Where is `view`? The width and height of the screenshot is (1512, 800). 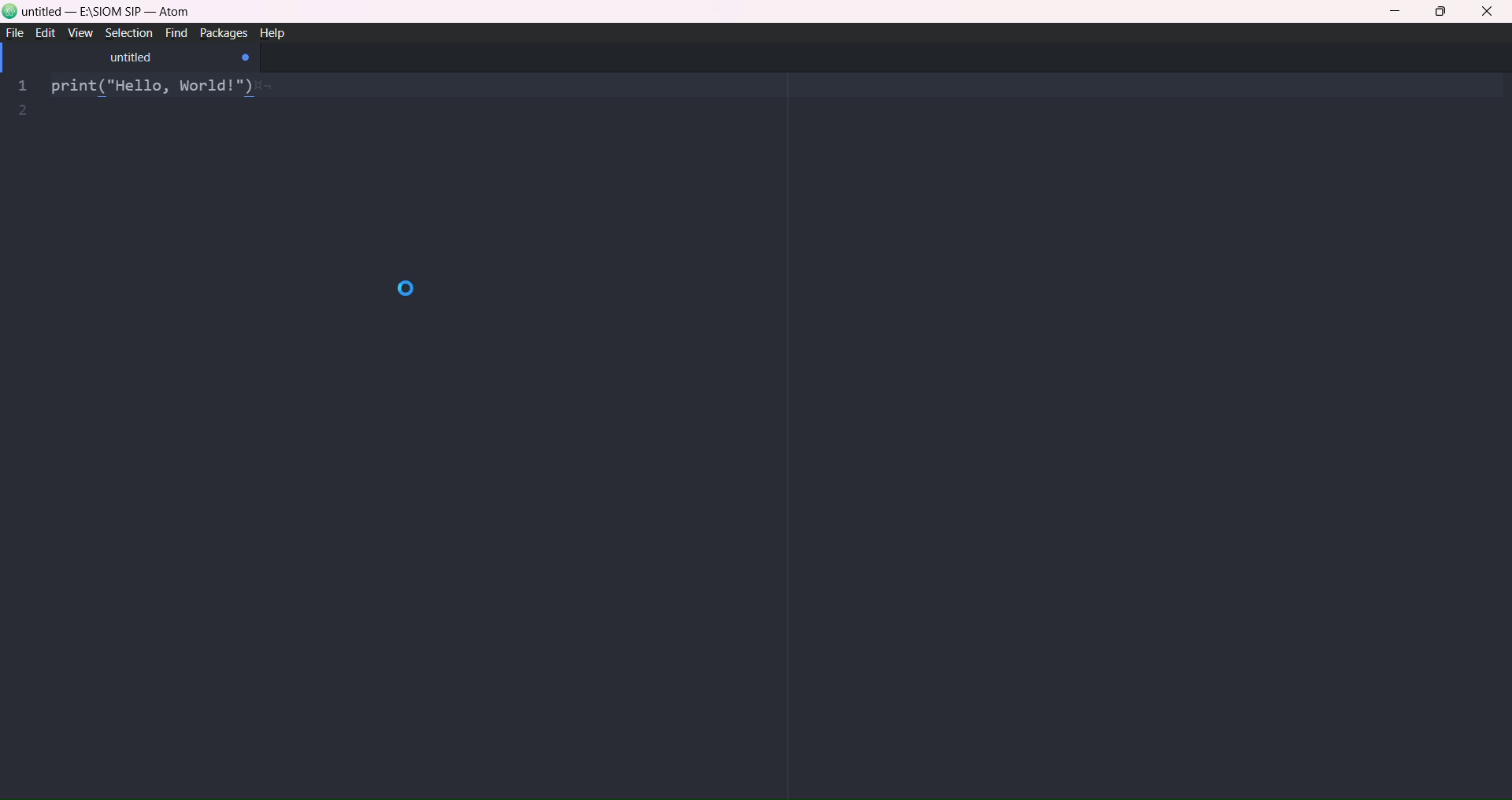
view is located at coordinates (77, 35).